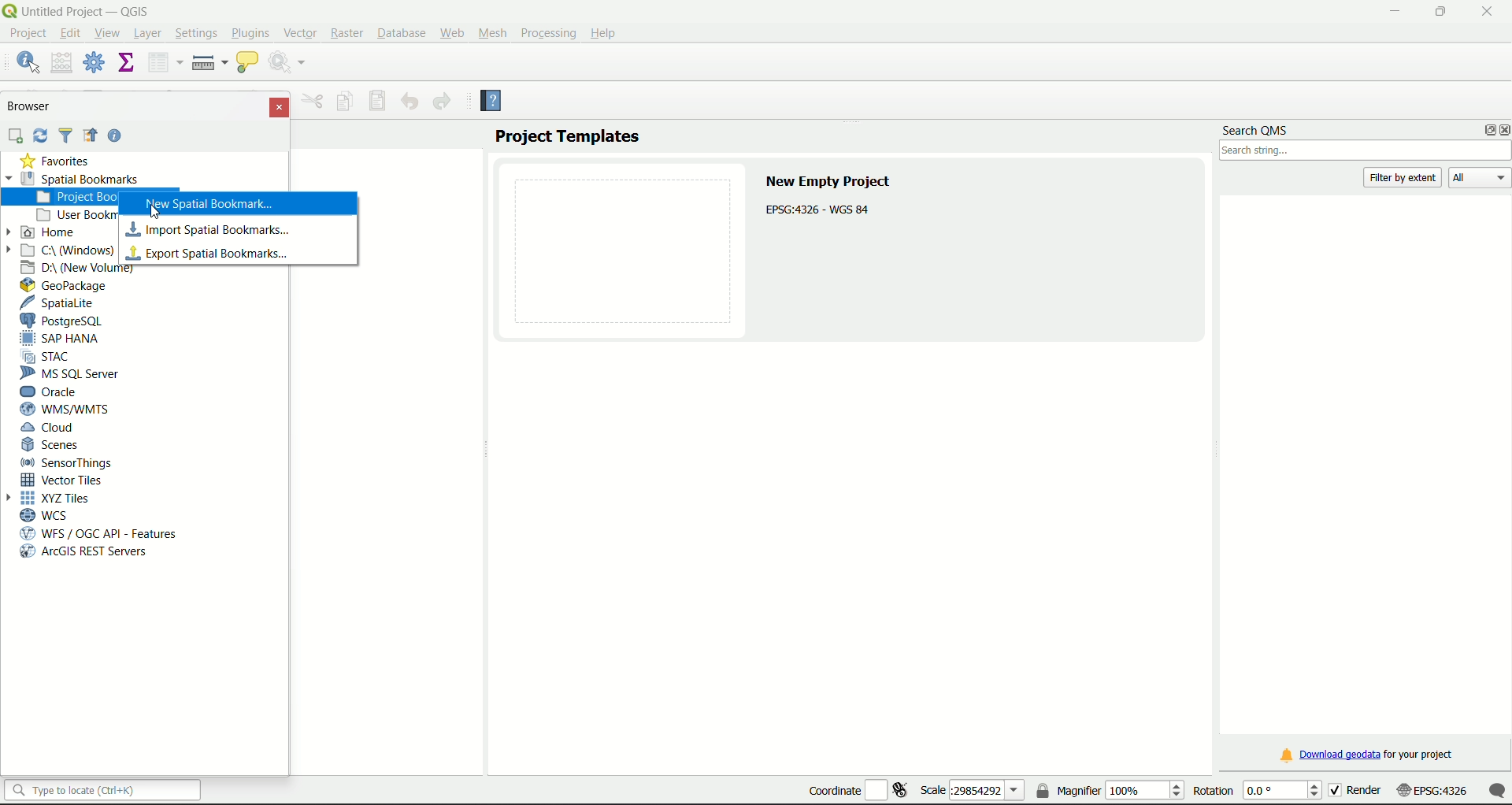  What do you see at coordinates (209, 228) in the screenshot?
I see `import spatial bookmark` at bounding box center [209, 228].